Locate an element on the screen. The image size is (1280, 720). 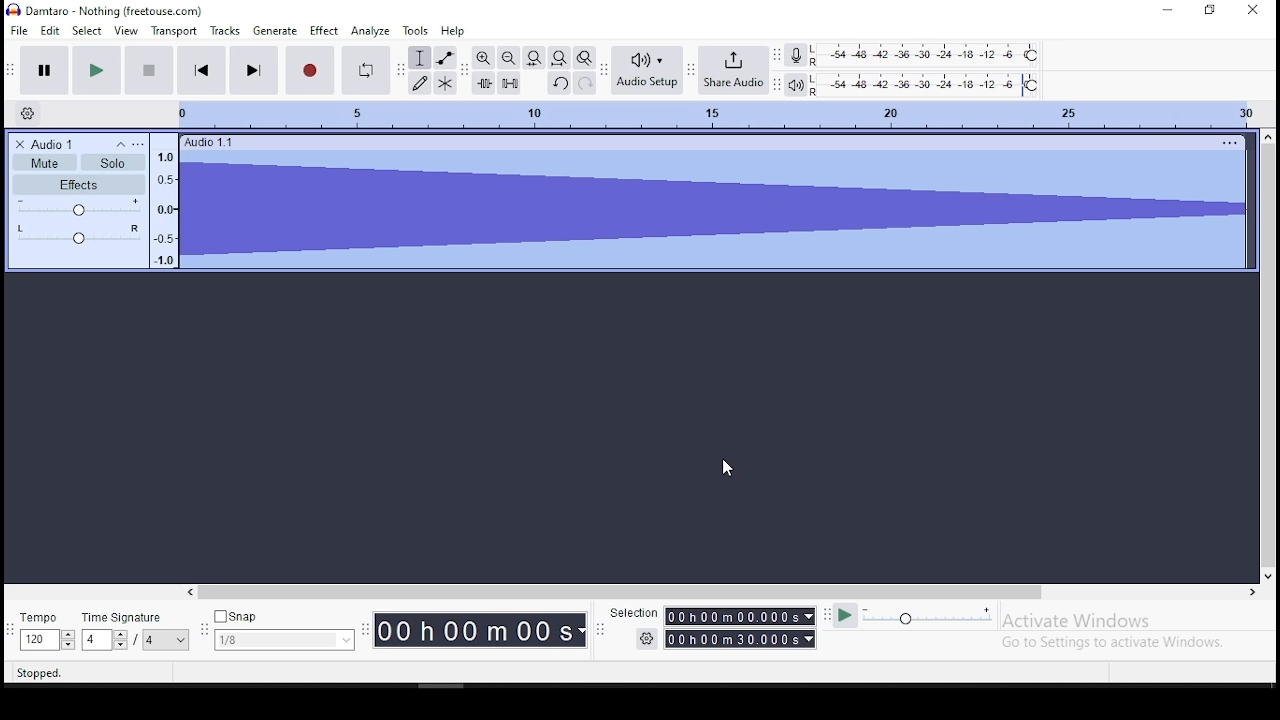
selection duration is located at coordinates (745, 625).